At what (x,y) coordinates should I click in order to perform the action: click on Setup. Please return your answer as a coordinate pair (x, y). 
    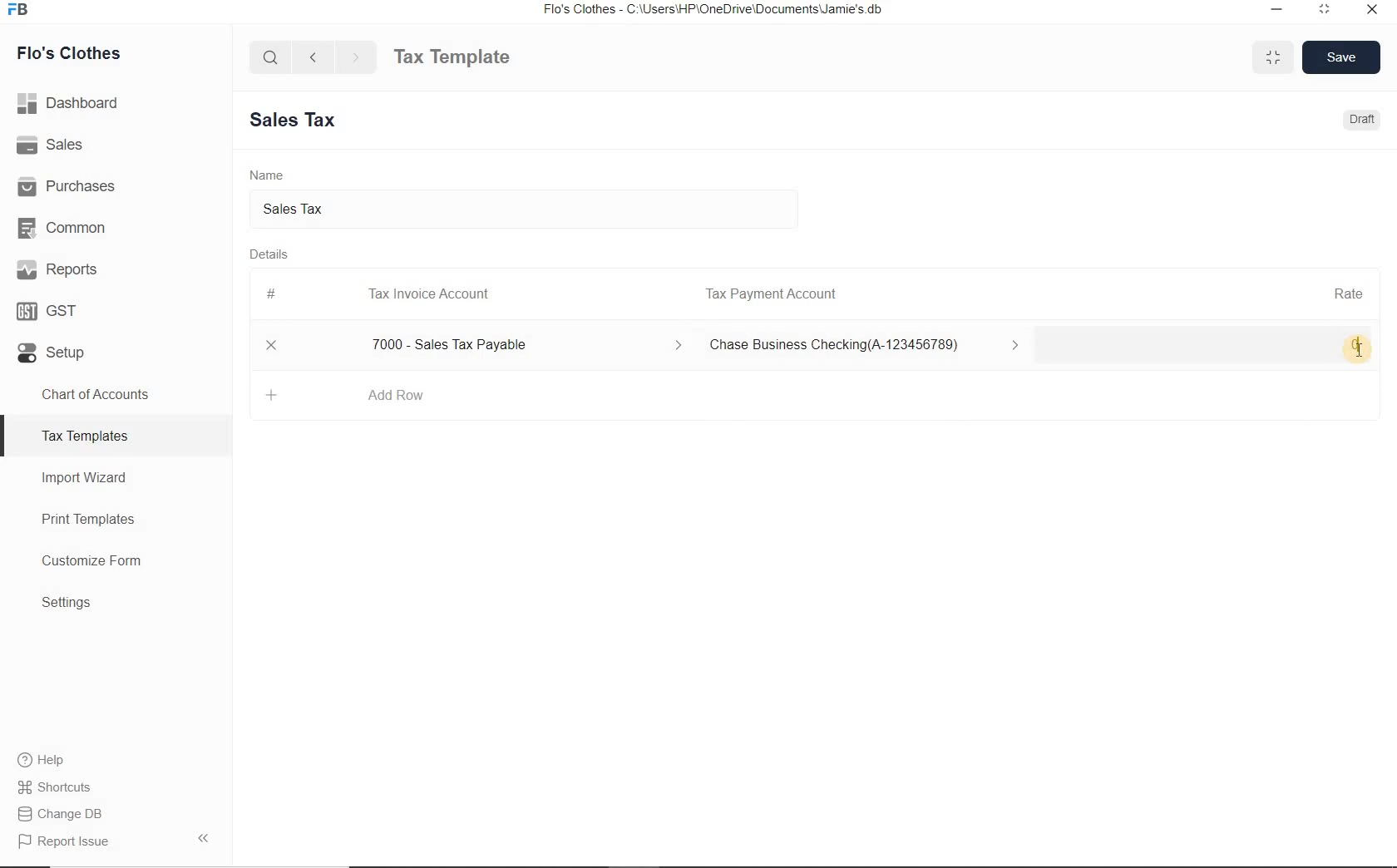
    Looking at the image, I should click on (116, 349).